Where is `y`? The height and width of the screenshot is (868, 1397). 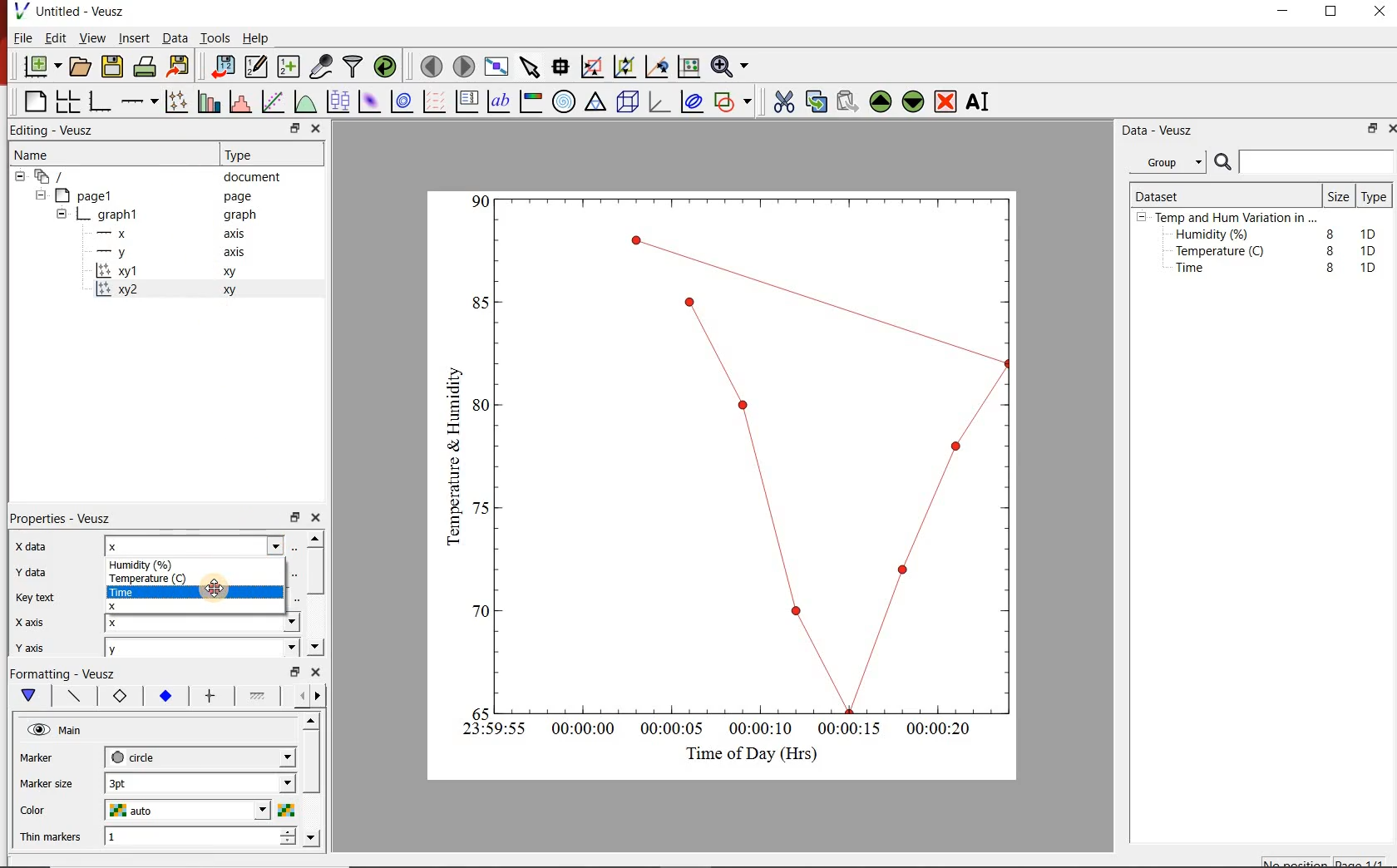 y is located at coordinates (136, 650).